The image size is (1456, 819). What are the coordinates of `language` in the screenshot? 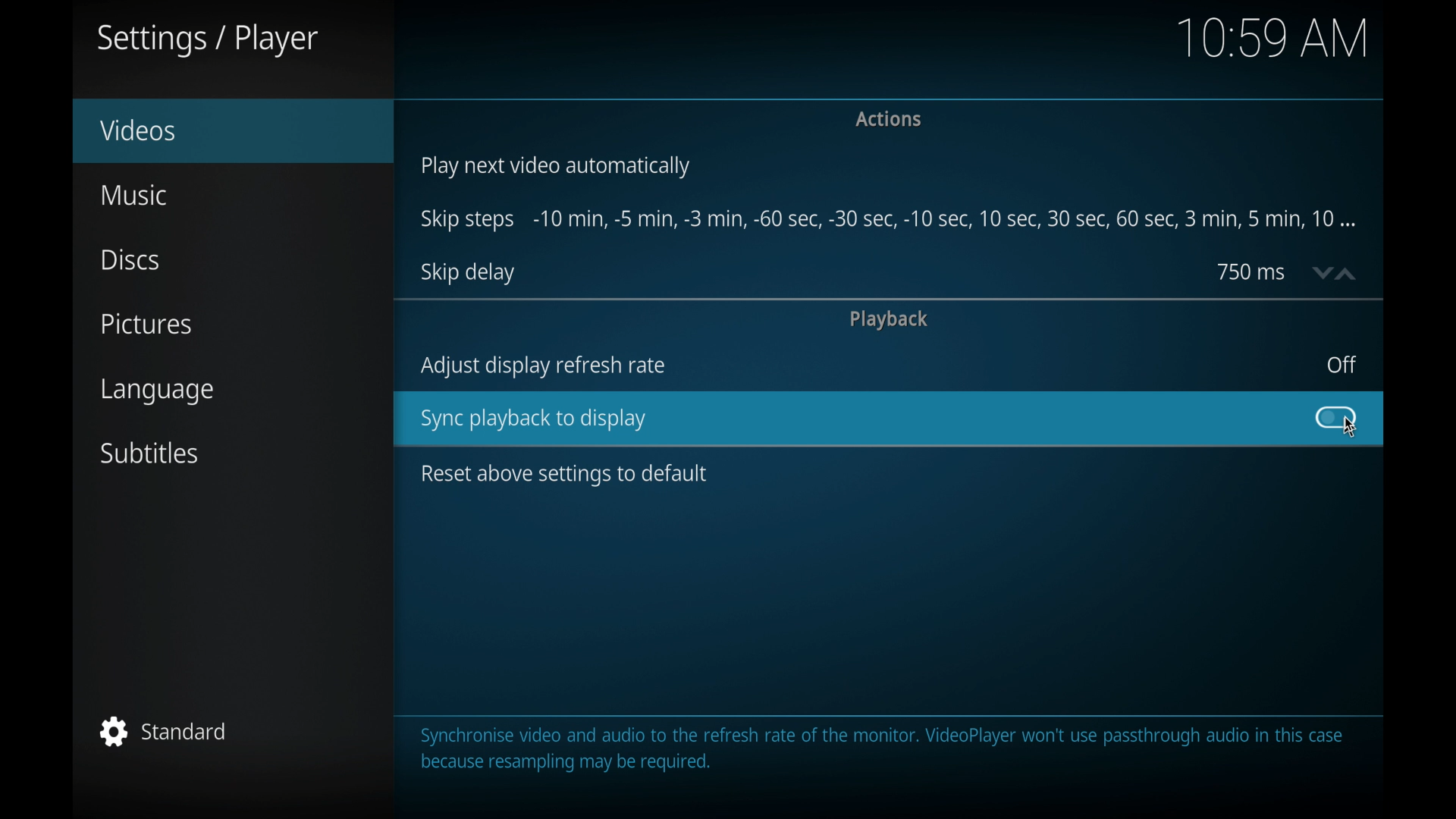 It's located at (158, 391).